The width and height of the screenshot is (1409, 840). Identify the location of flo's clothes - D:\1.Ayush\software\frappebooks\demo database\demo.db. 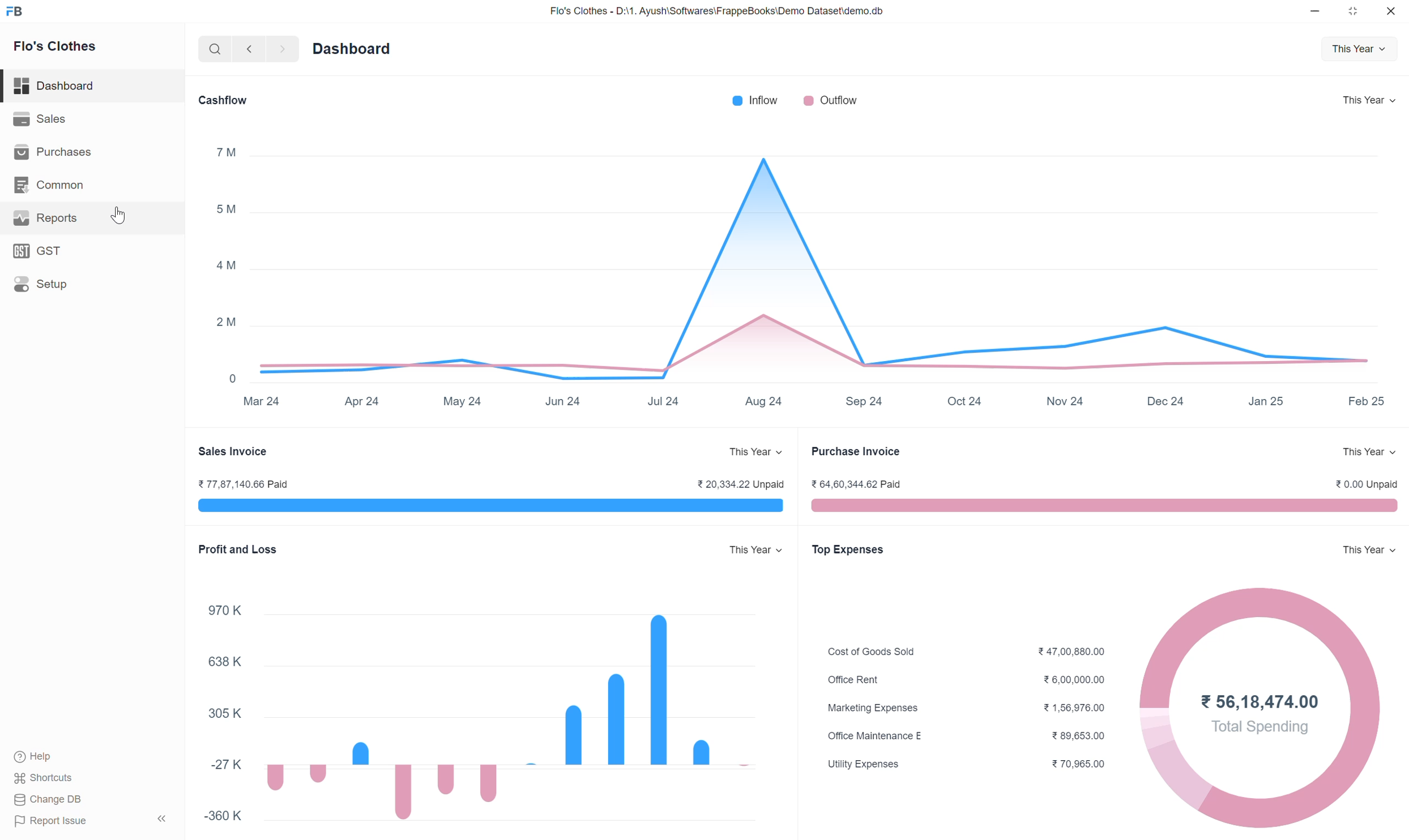
(716, 12).